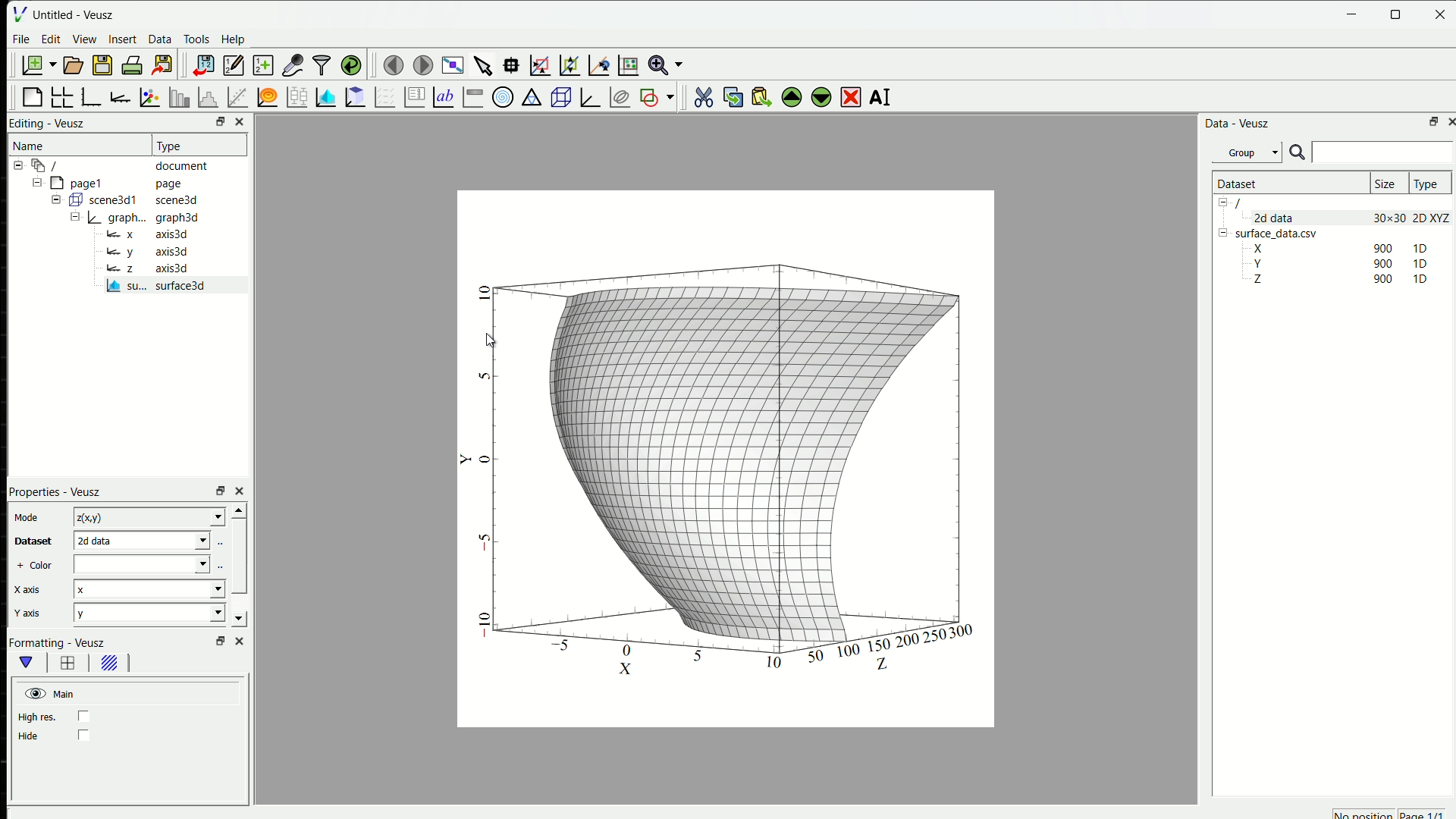  Describe the element at coordinates (111, 663) in the screenshot. I see `background` at that location.